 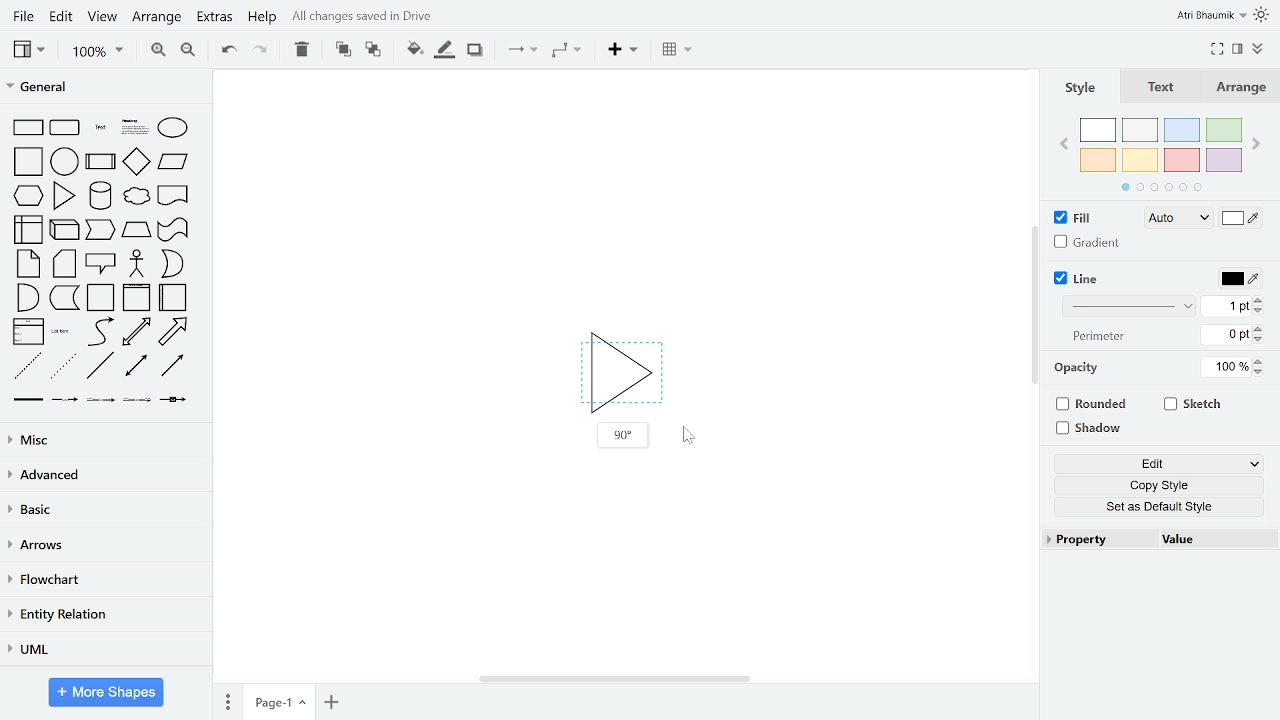 I want to click on file, so click(x=22, y=16).